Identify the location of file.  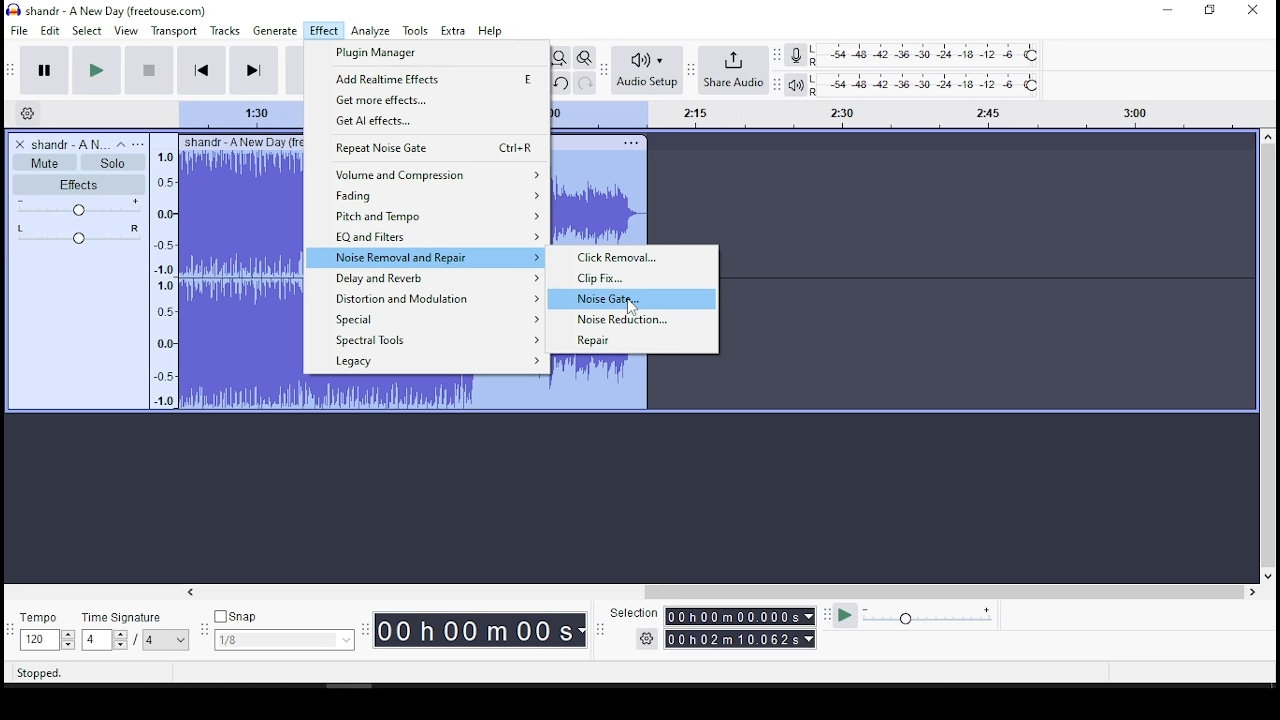
(18, 30).